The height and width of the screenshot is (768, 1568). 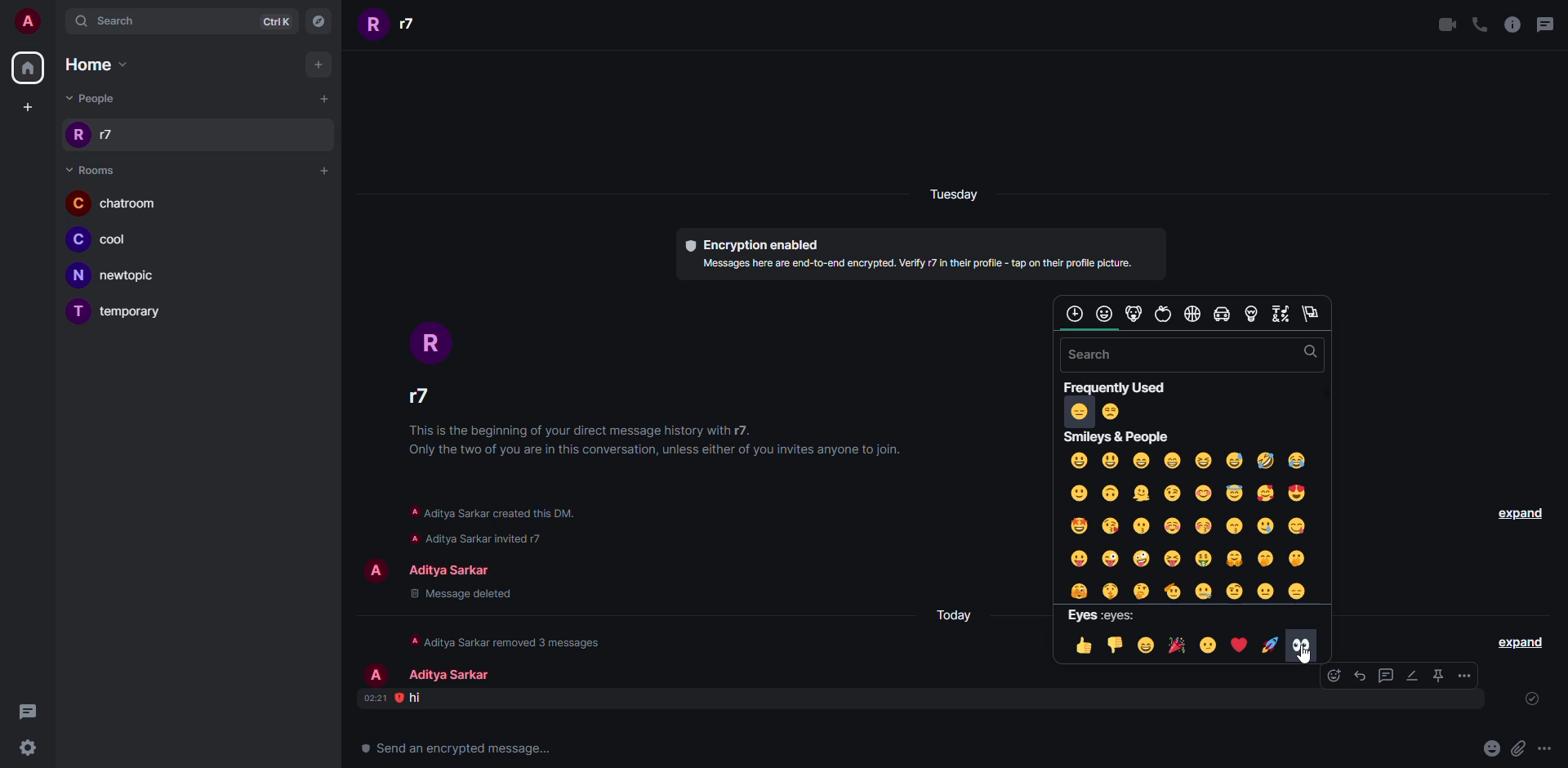 I want to click on edit, so click(x=1412, y=675).